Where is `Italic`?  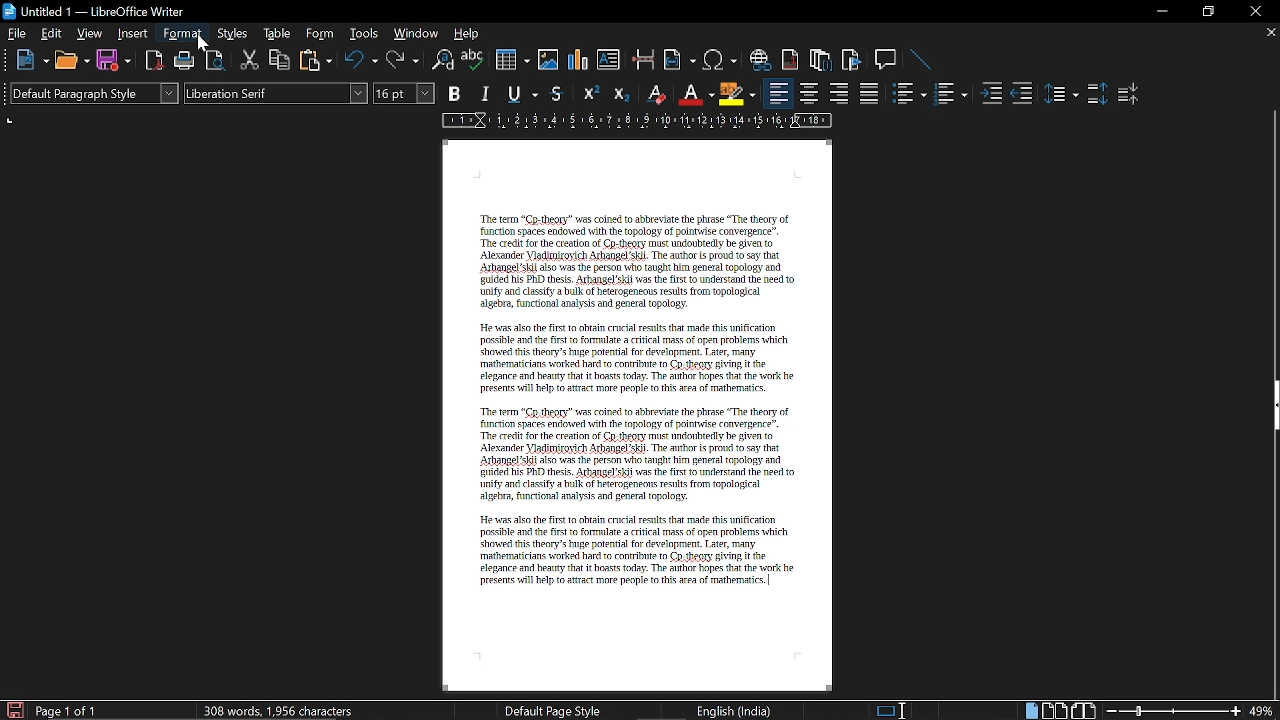 Italic is located at coordinates (486, 94).